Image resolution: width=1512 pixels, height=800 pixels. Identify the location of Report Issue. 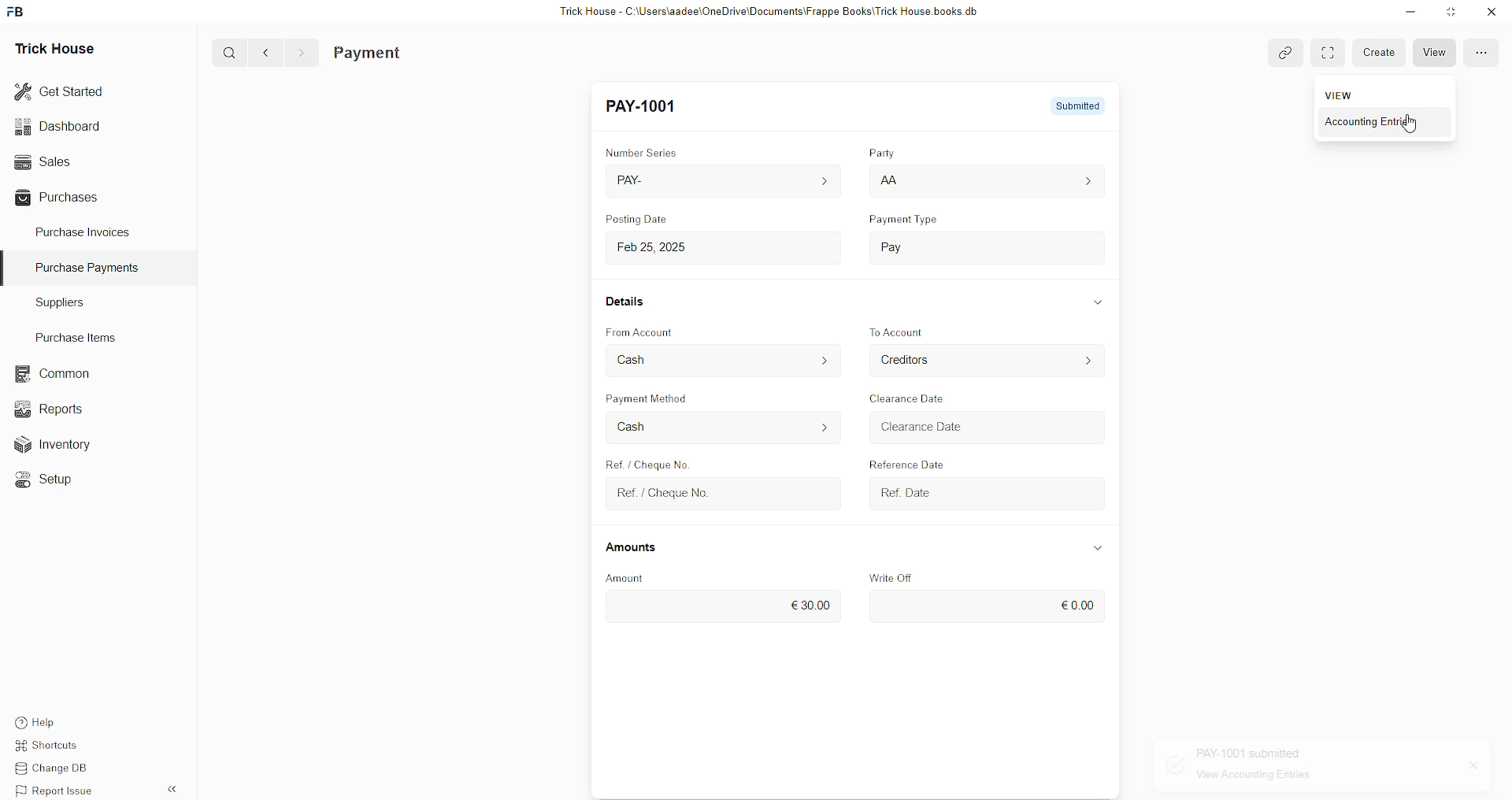
(59, 791).